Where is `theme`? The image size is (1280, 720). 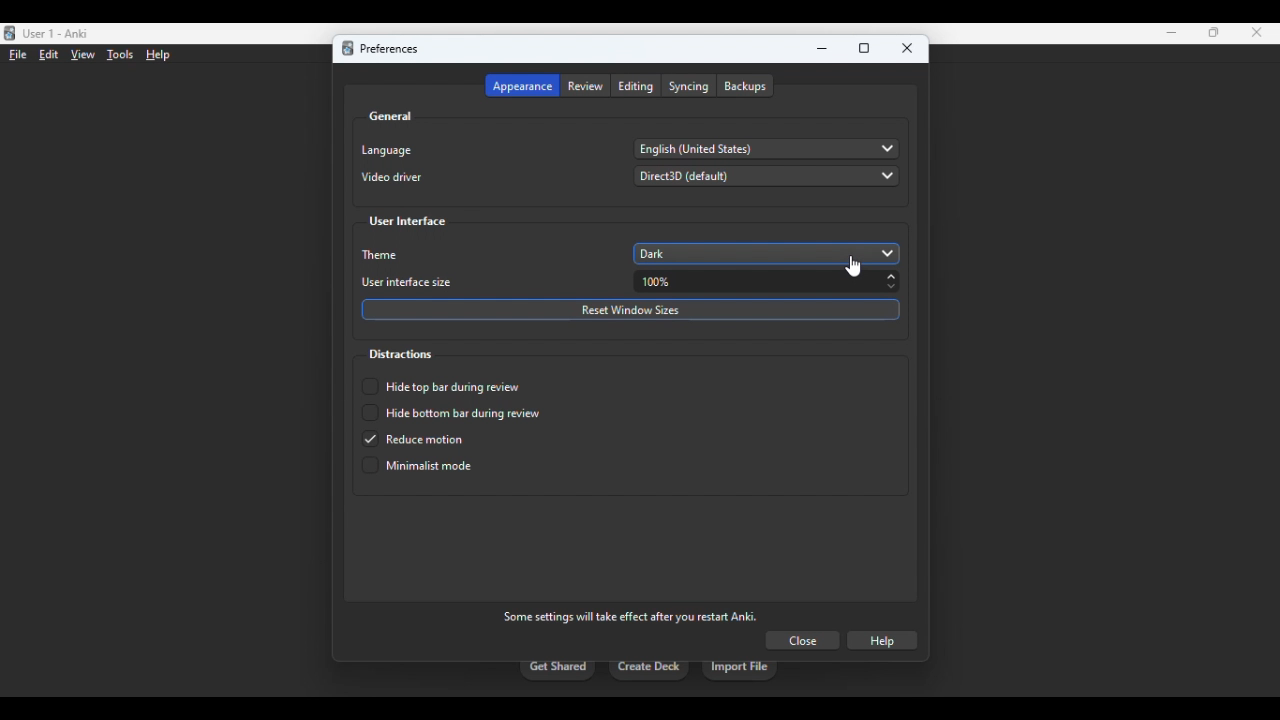 theme is located at coordinates (382, 255).